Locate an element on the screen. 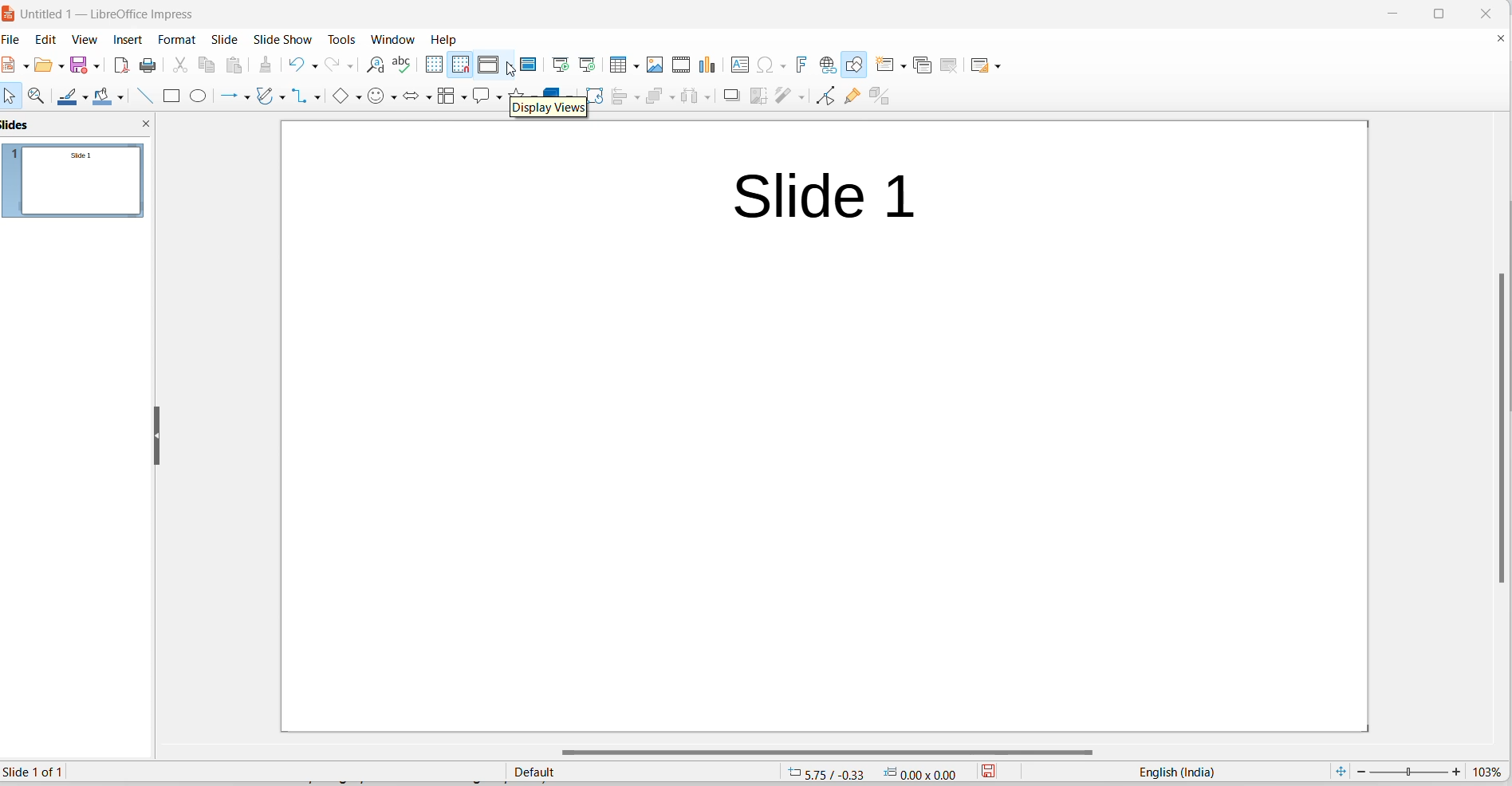 The image size is (1512, 786). show gluepoint functions is located at coordinates (854, 98).